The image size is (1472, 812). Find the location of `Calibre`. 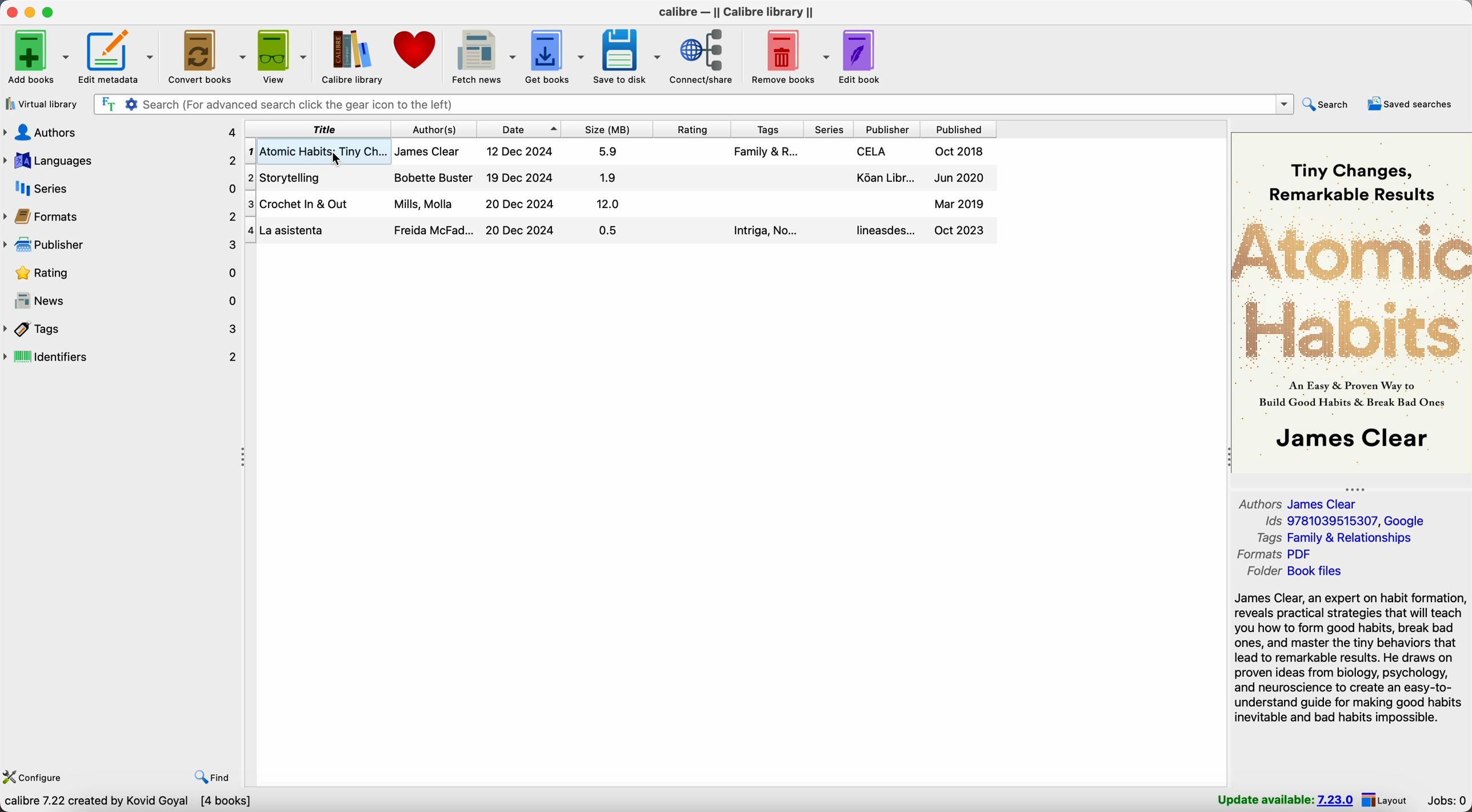

Calibre is located at coordinates (738, 12).